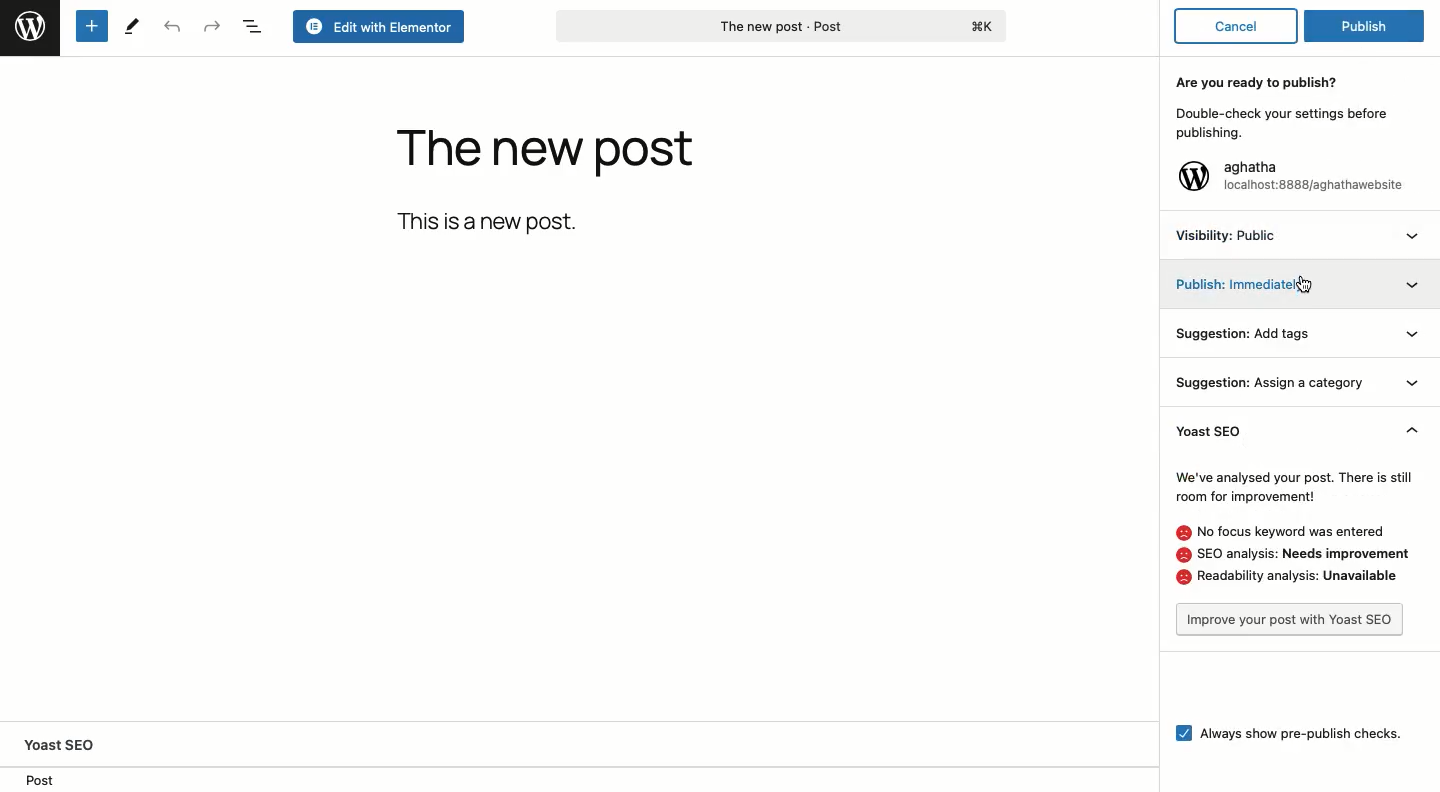  Describe the element at coordinates (39, 779) in the screenshot. I see `Post` at that location.